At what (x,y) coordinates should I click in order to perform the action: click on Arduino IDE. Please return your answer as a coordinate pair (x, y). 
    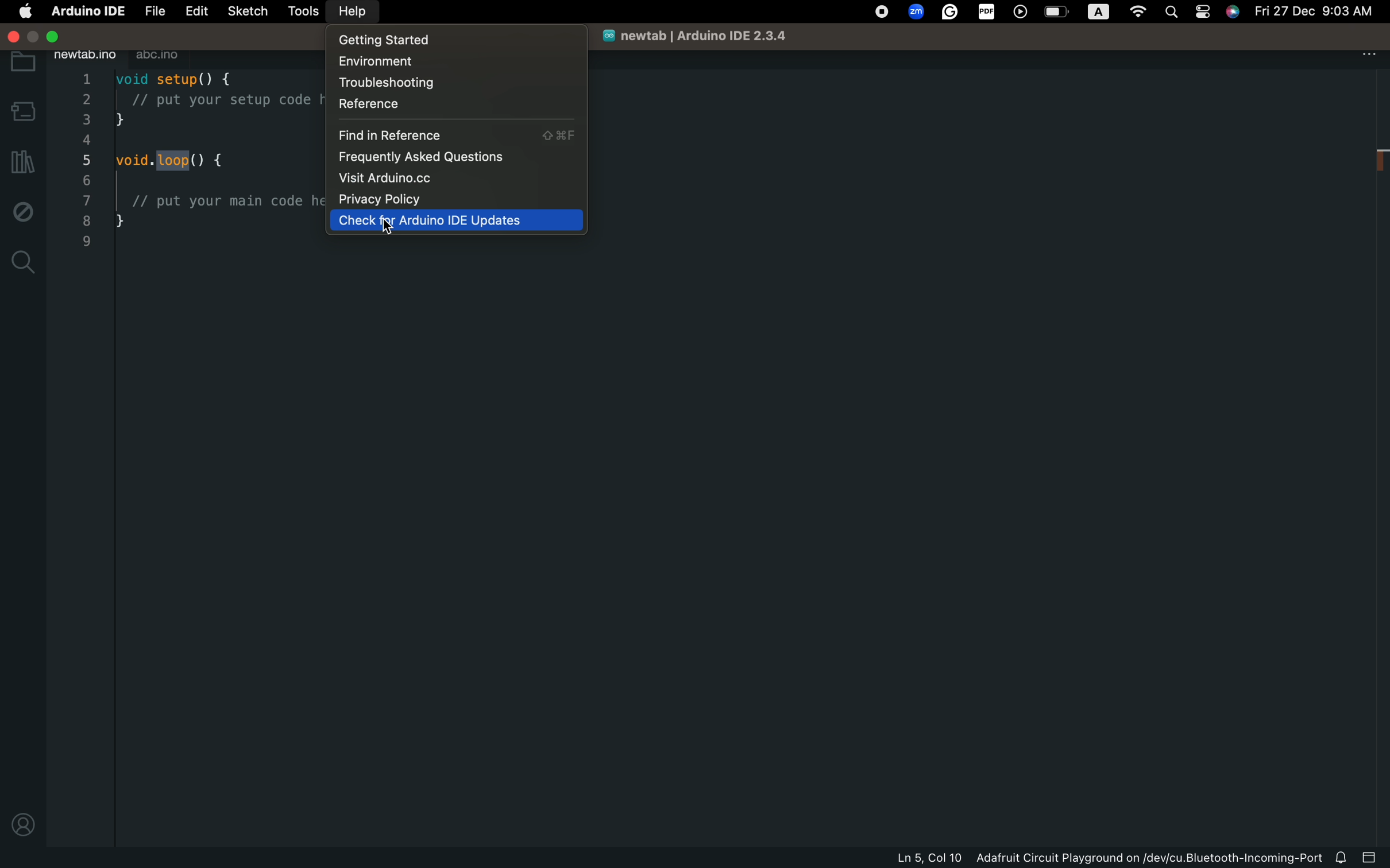
    Looking at the image, I should click on (87, 10).